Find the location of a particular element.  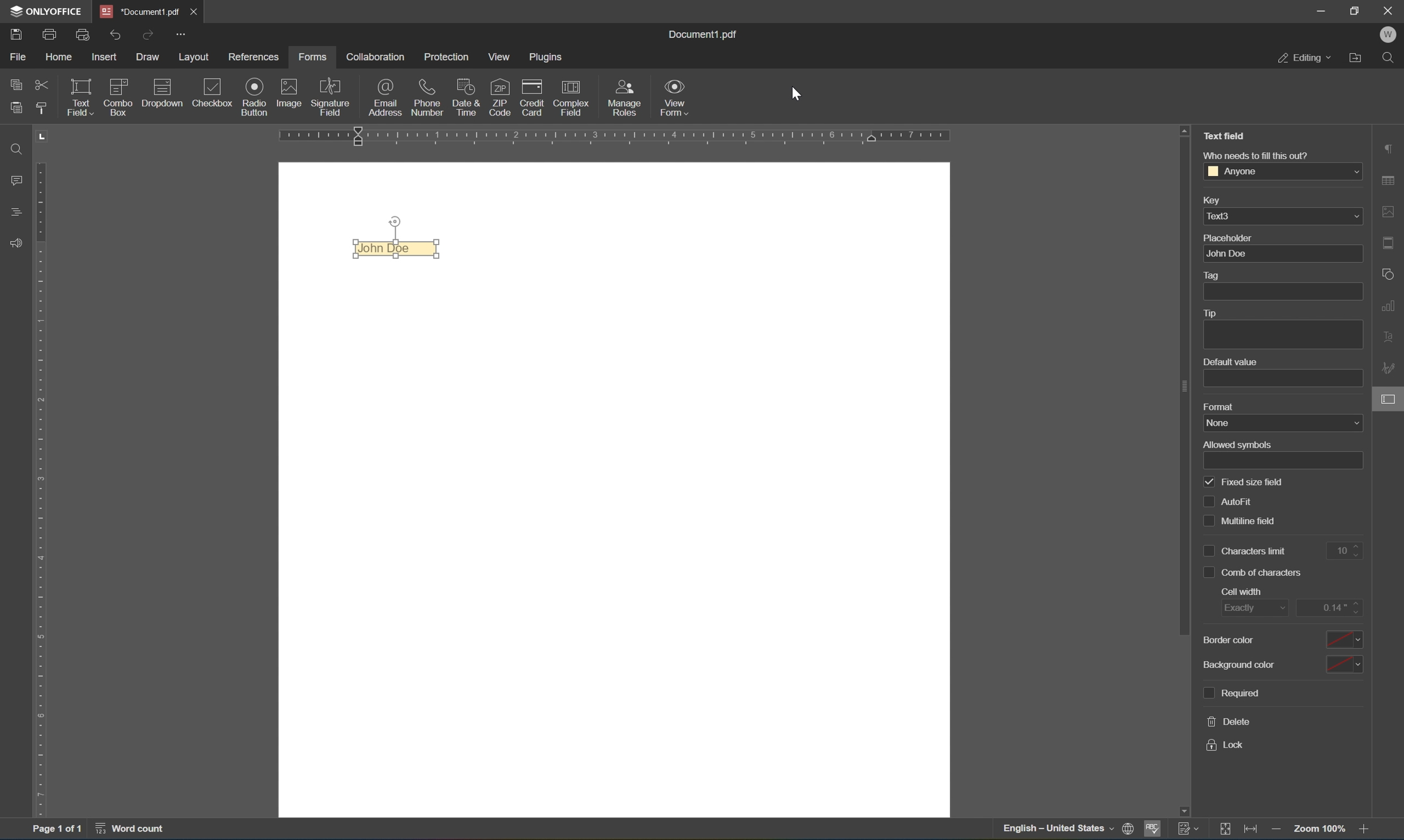

placeholder is located at coordinates (1259, 235).